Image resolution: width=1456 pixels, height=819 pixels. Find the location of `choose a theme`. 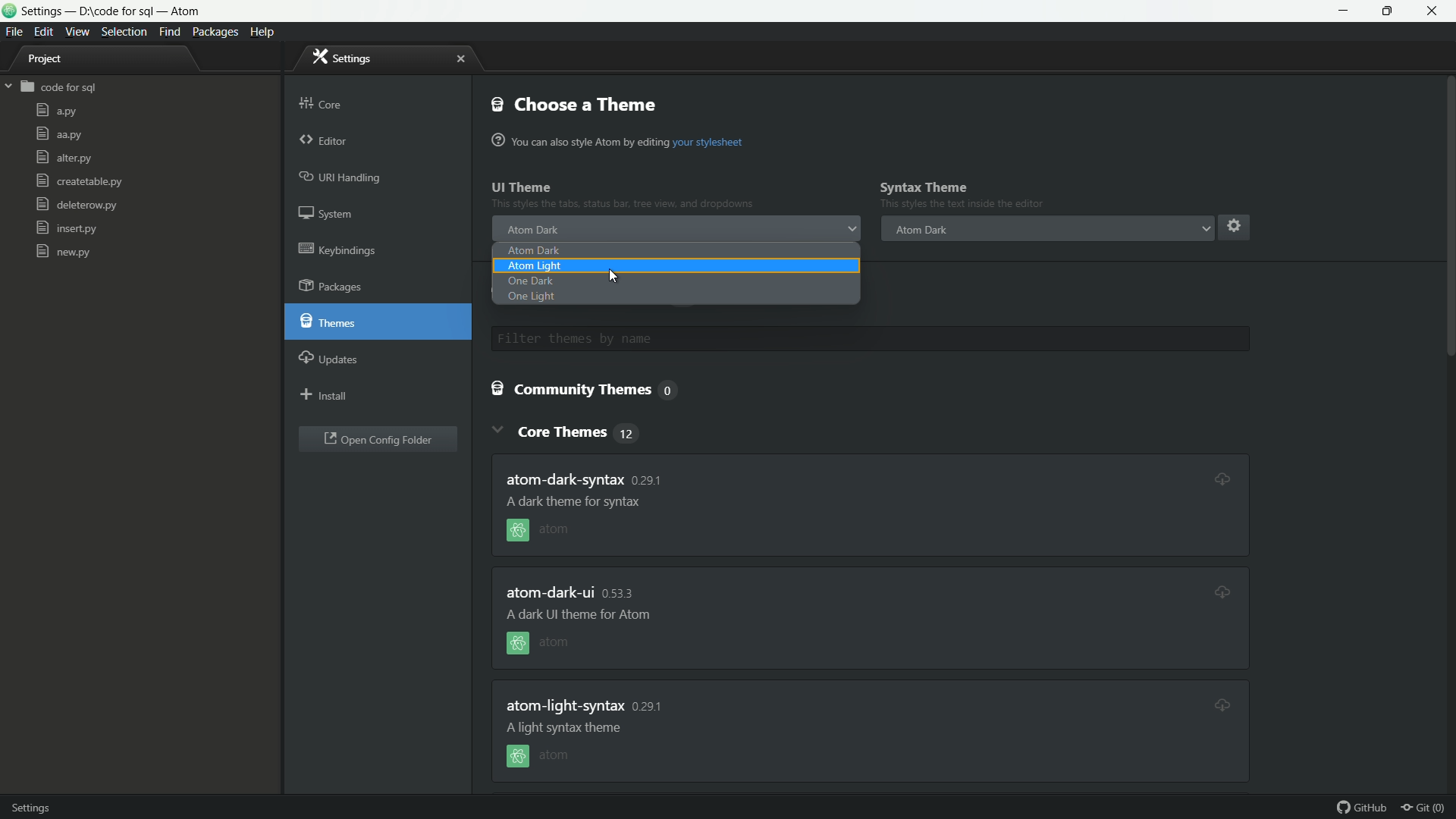

choose a theme is located at coordinates (576, 104).